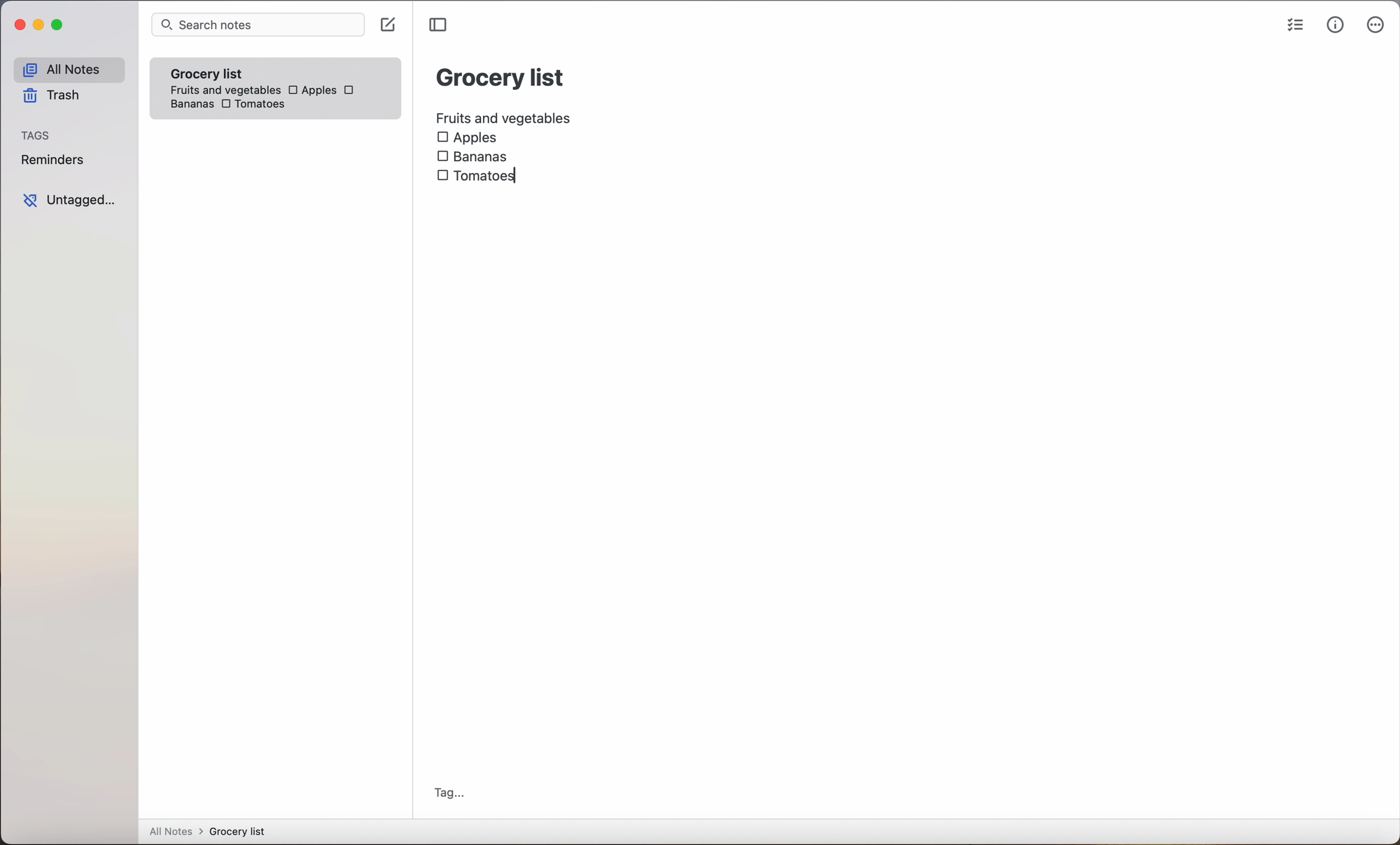 The image size is (1400, 845). I want to click on toggle sidebar, so click(440, 25).